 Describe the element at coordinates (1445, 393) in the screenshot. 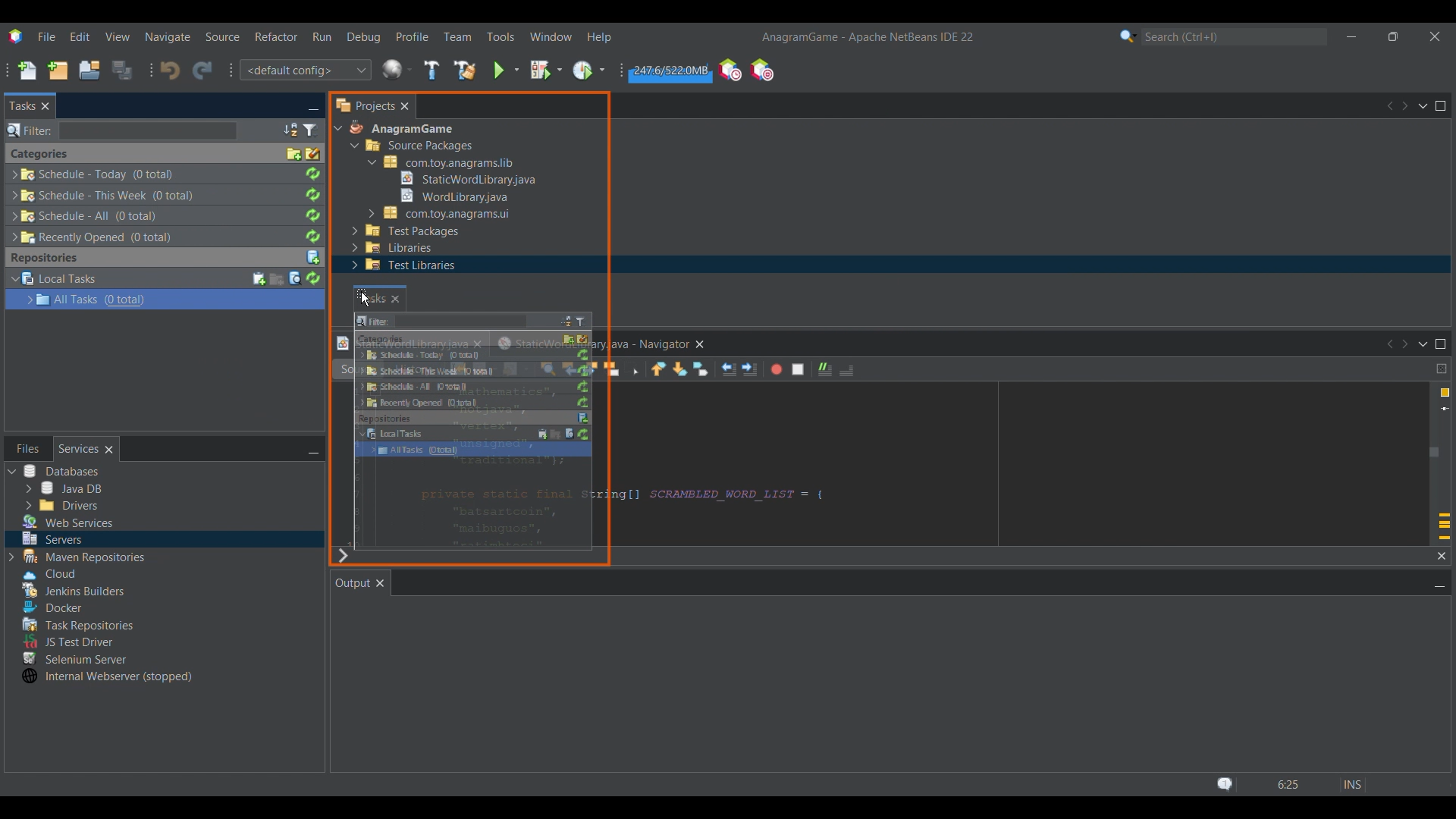

I see `4 warnings ` at that location.